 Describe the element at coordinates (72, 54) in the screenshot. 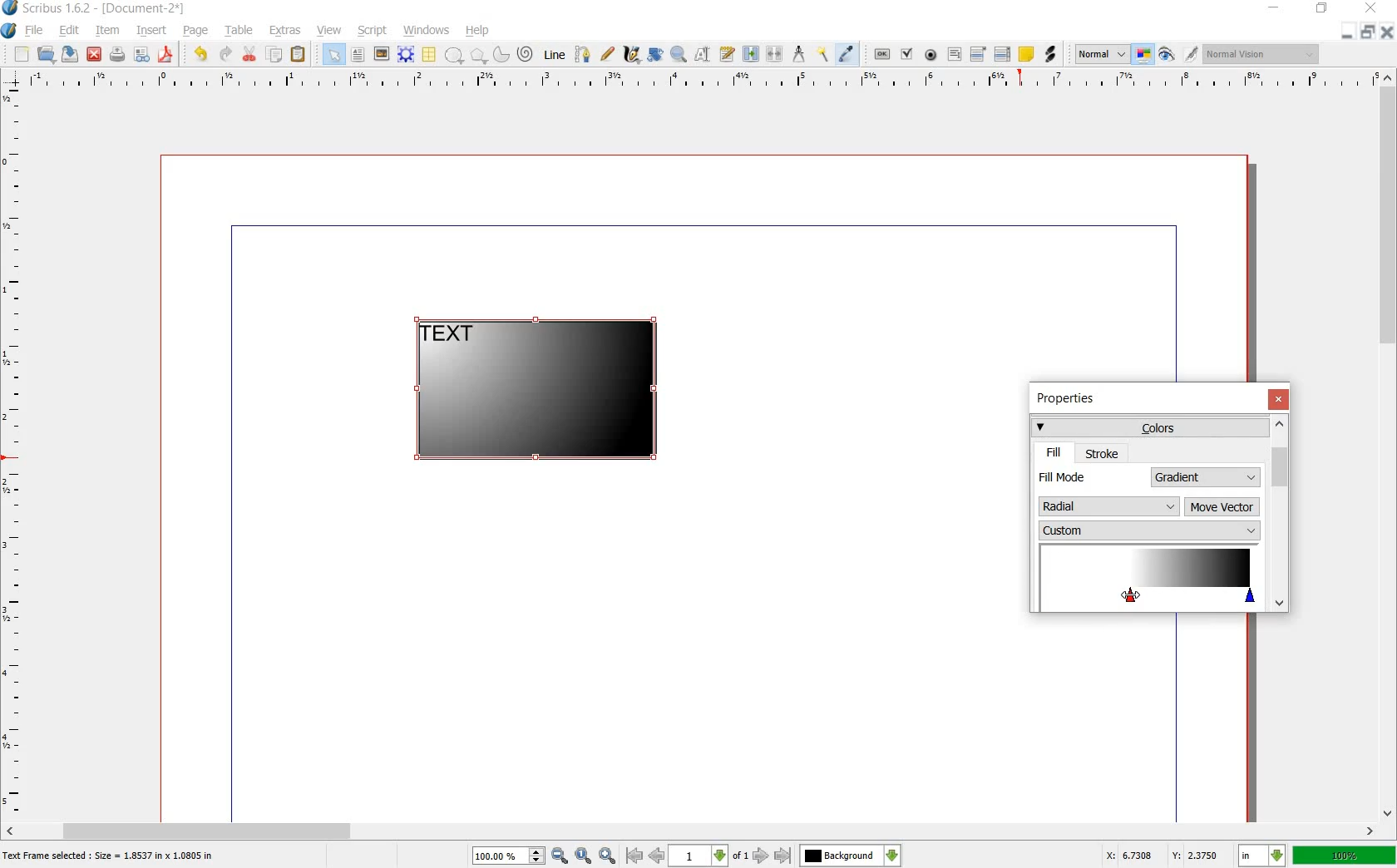

I see `save` at that location.